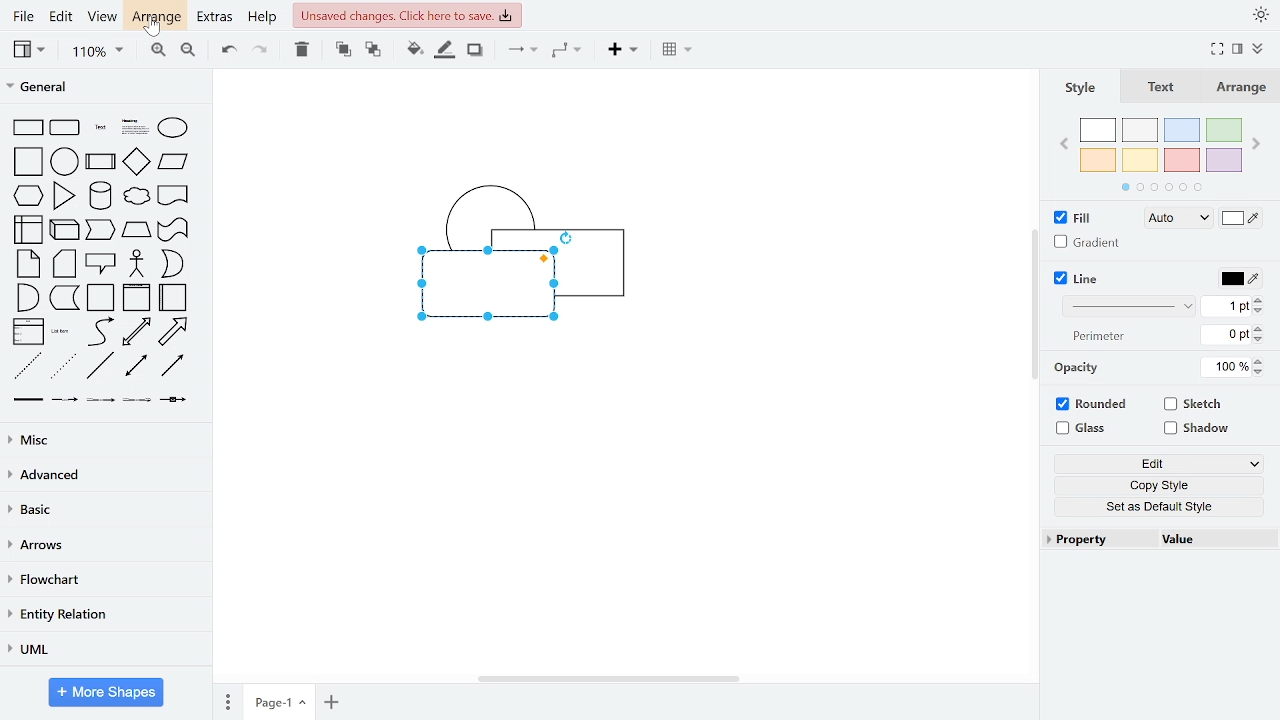  I want to click on help, so click(264, 17).